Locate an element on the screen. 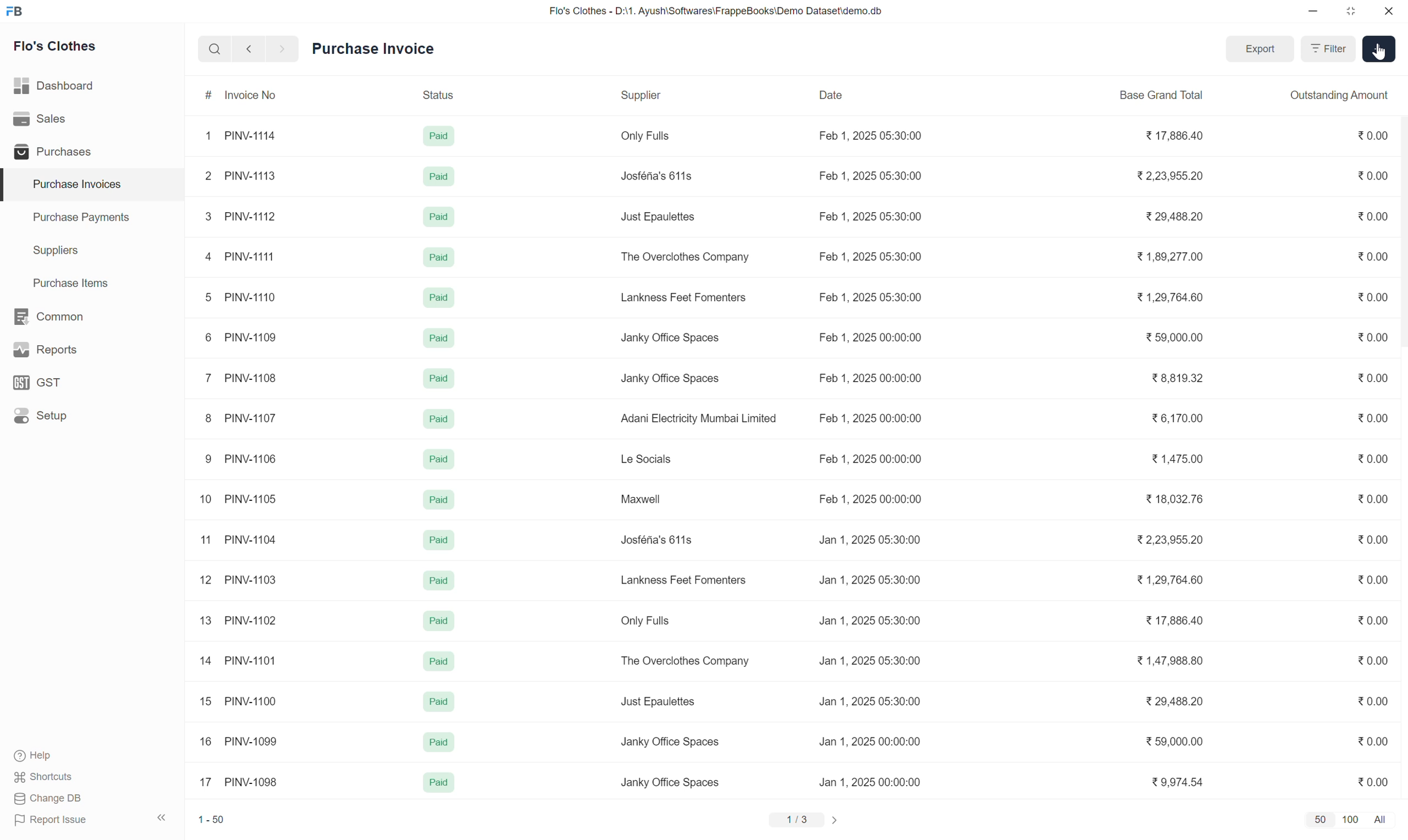 The height and width of the screenshot is (840, 1408). Feb 1, 2025 05:30:00 is located at coordinates (870, 296).